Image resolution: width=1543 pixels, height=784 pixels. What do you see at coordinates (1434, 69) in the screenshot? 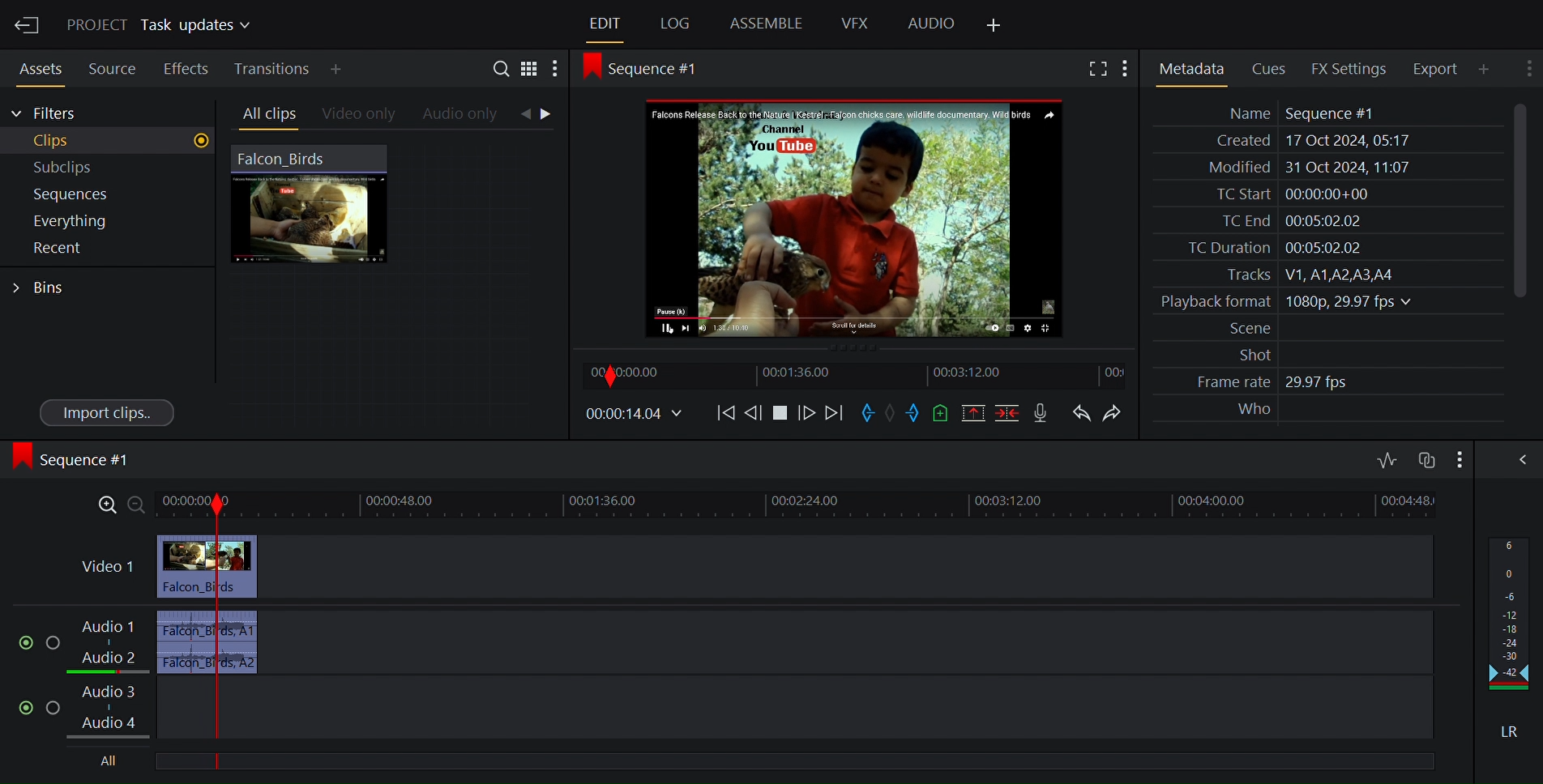
I see `Export` at bounding box center [1434, 69].